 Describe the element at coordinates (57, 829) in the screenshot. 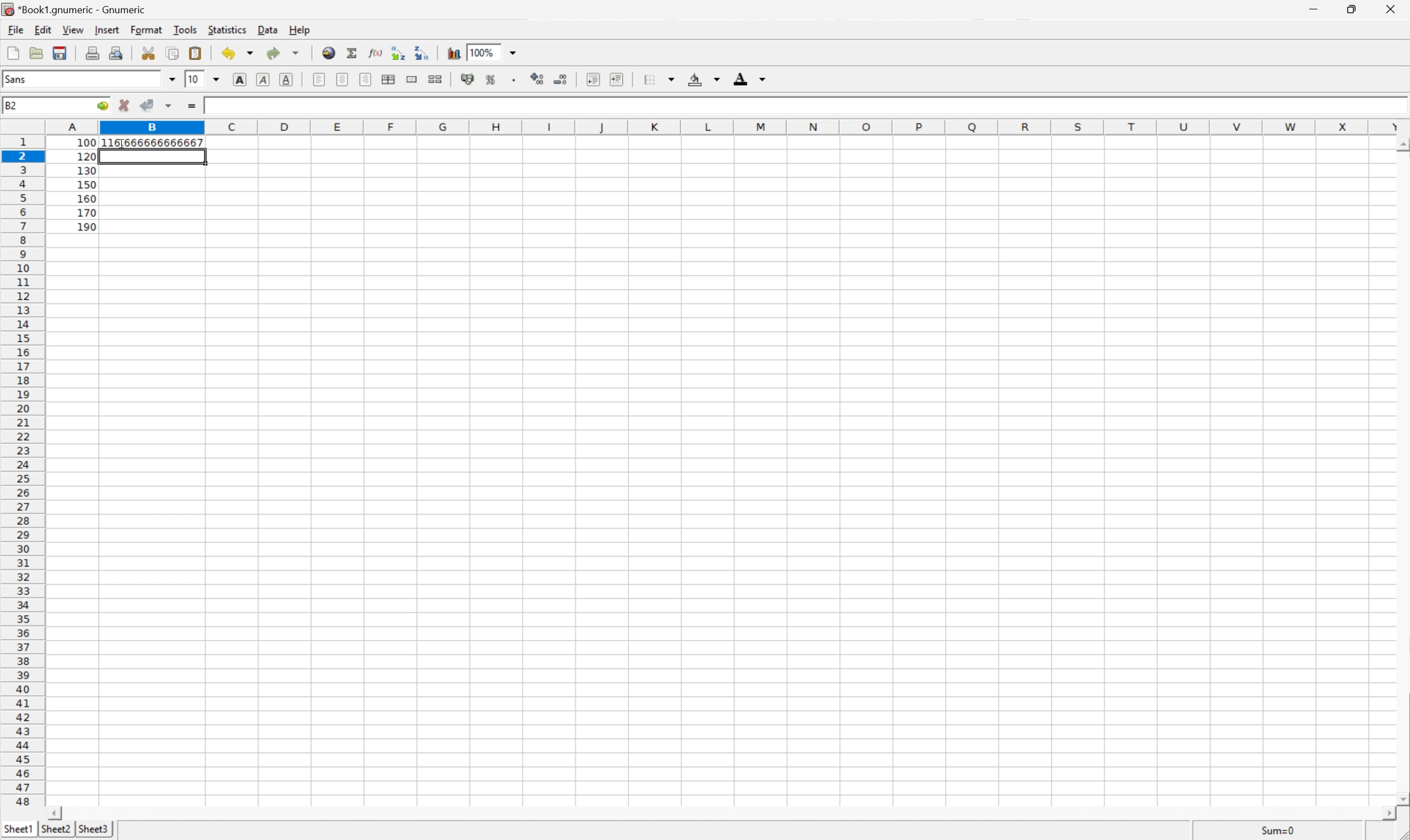

I see `Sheet2` at that location.